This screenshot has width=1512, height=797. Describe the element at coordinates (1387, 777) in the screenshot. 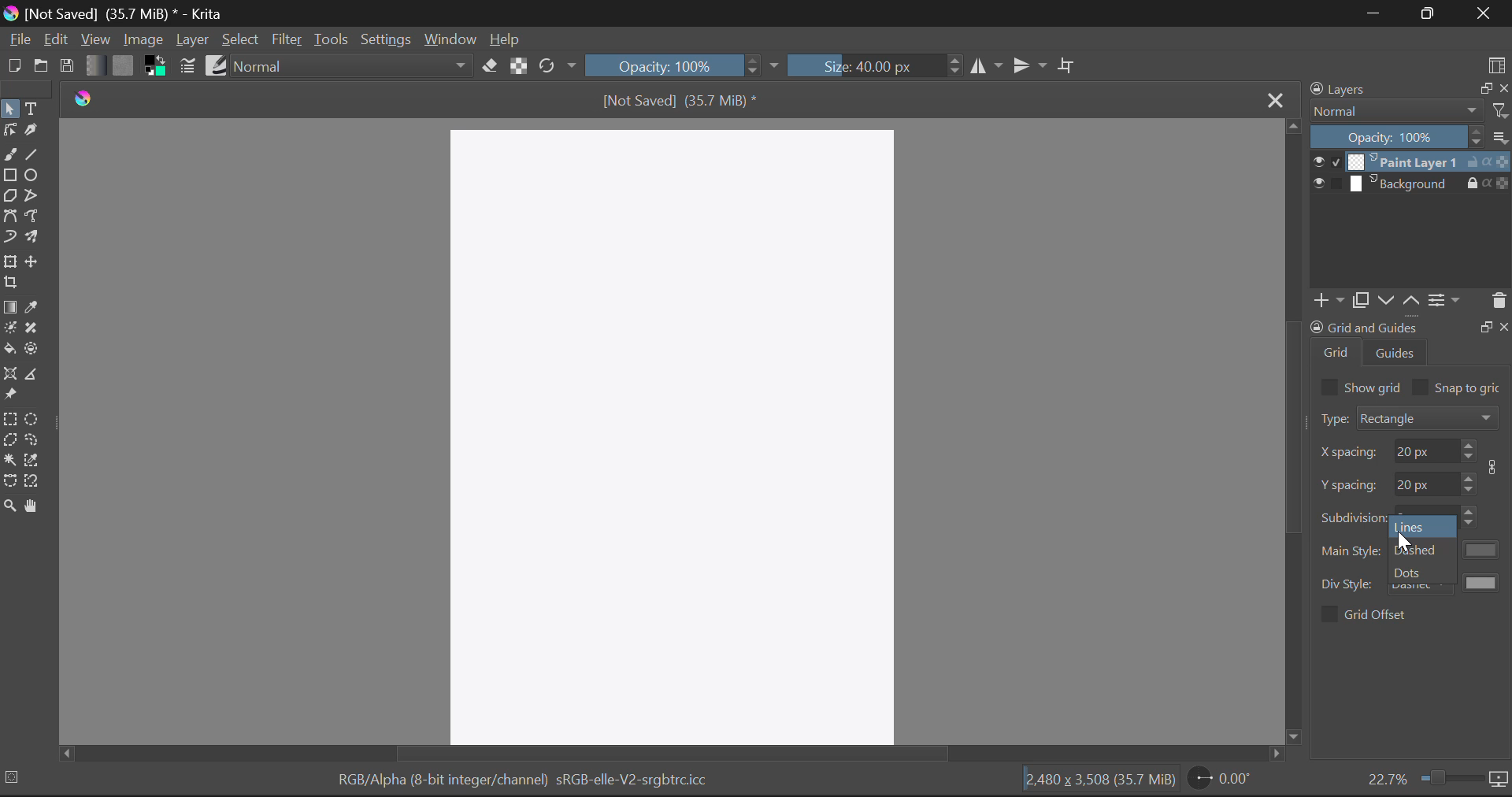

I see `zoom value` at that location.